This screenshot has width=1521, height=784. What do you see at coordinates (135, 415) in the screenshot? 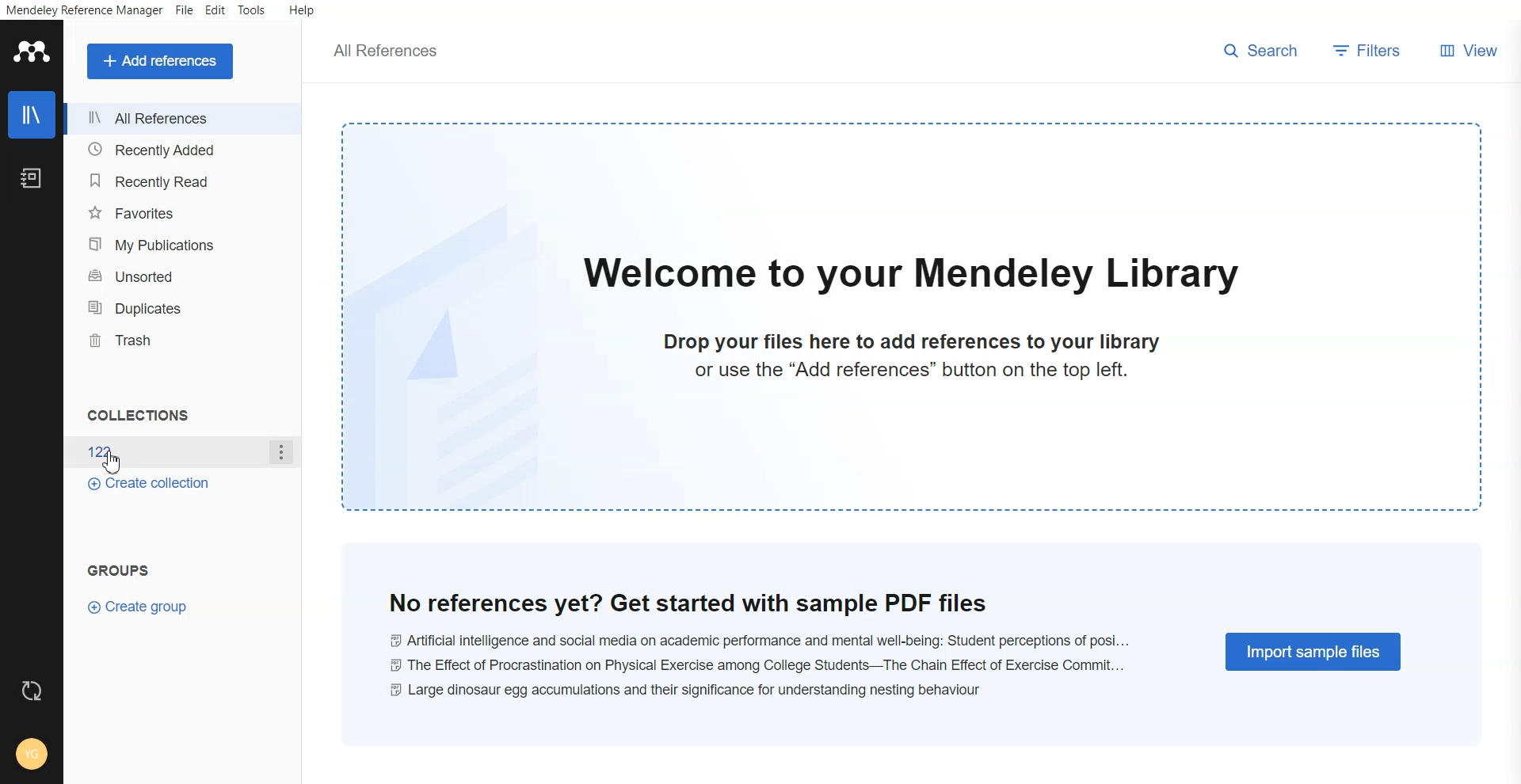
I see `Collections` at bounding box center [135, 415].